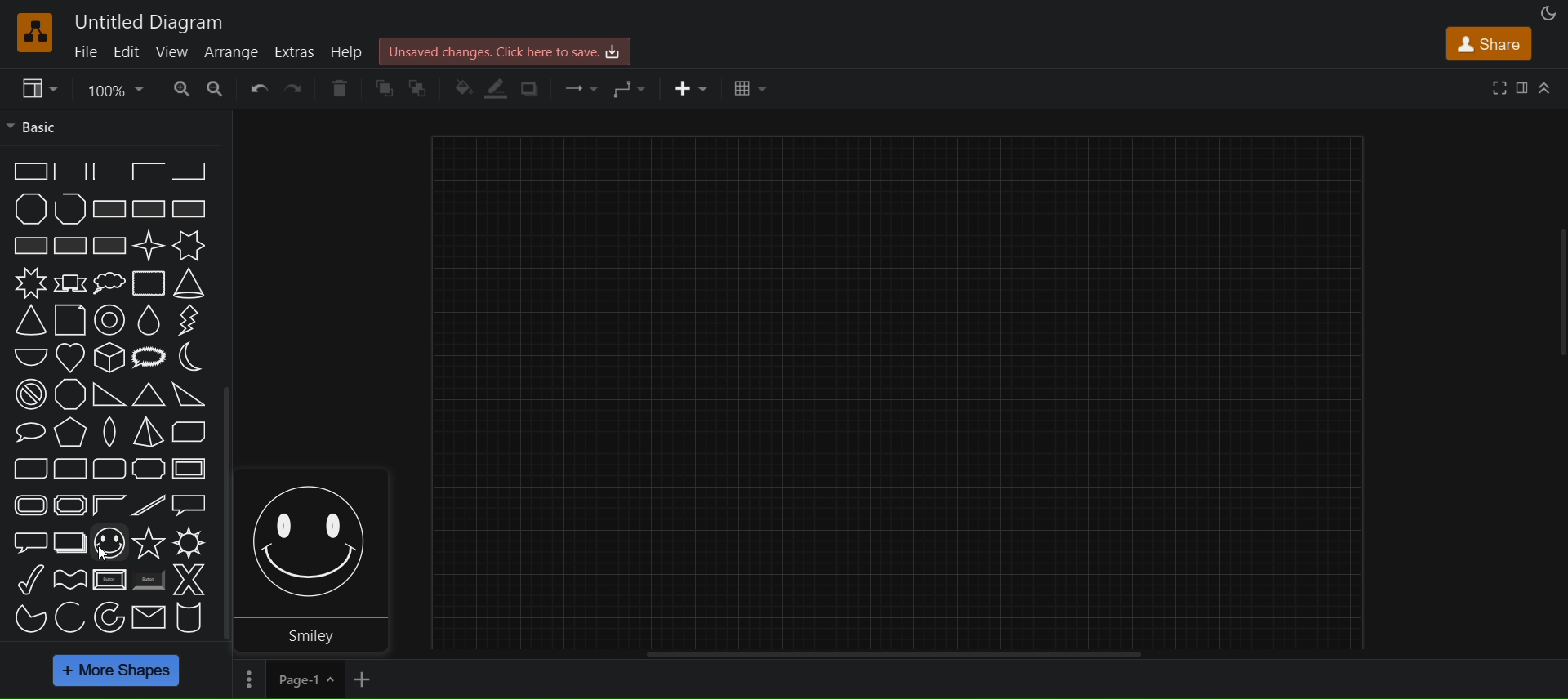 This screenshot has width=1568, height=699. What do you see at coordinates (148, 209) in the screenshot?
I see `rectangle with reverse diagonal fill` at bounding box center [148, 209].